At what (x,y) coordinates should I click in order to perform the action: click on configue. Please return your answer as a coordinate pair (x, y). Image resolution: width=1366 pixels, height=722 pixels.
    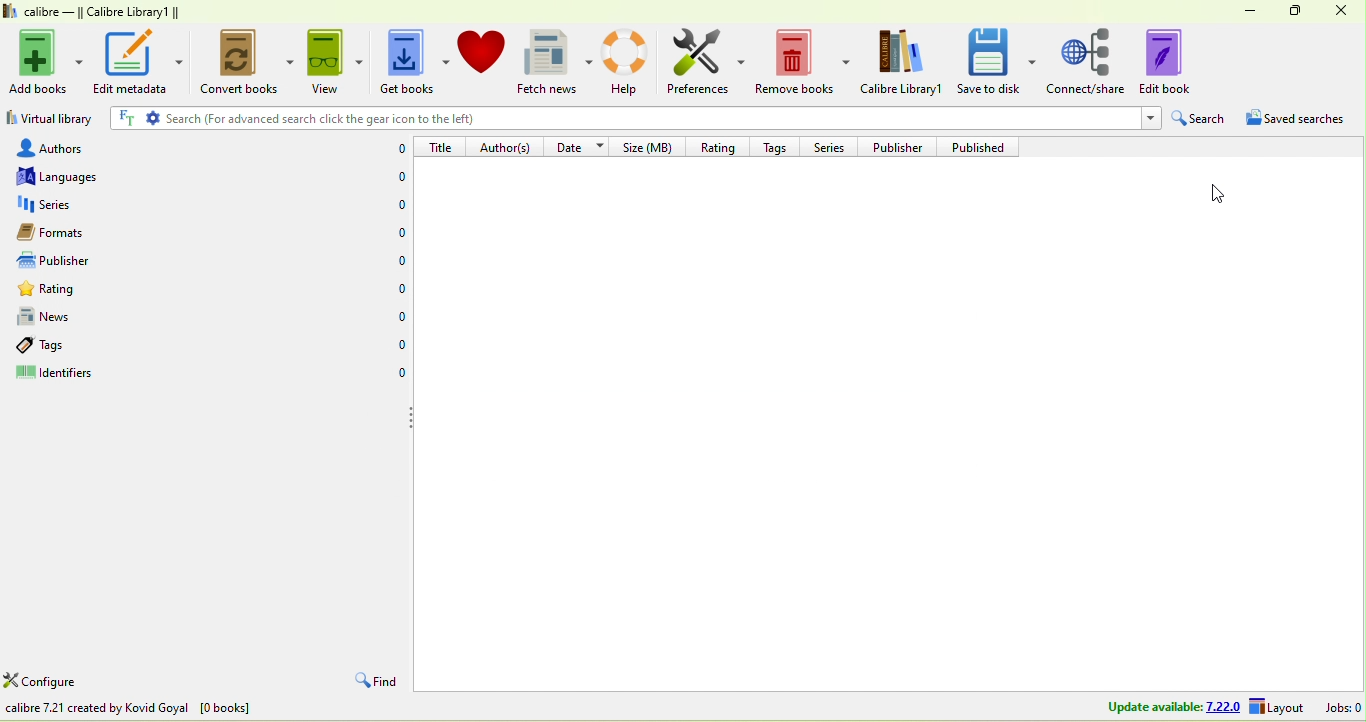
    Looking at the image, I should click on (64, 683).